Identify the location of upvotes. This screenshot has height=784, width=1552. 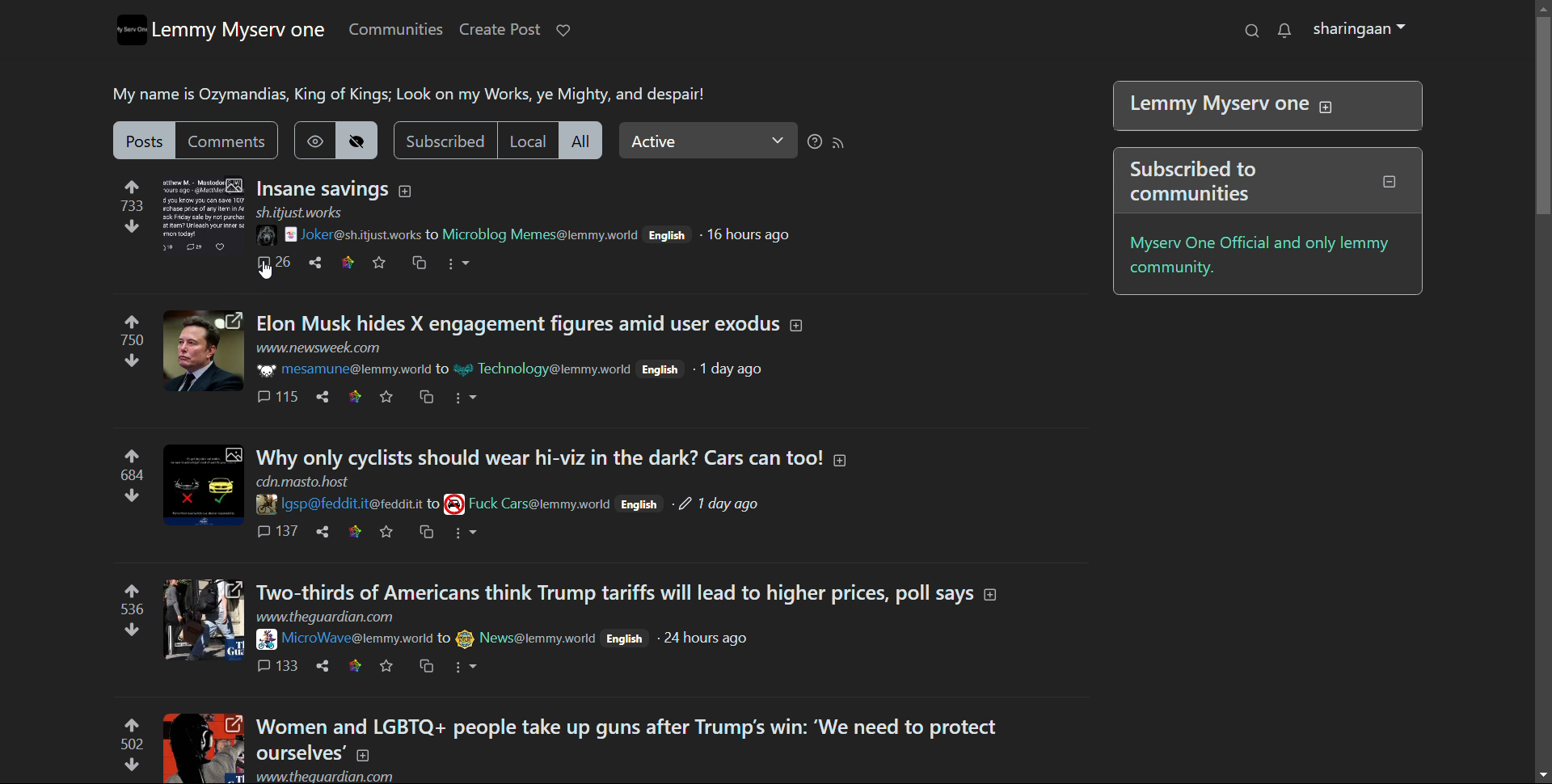
(137, 319).